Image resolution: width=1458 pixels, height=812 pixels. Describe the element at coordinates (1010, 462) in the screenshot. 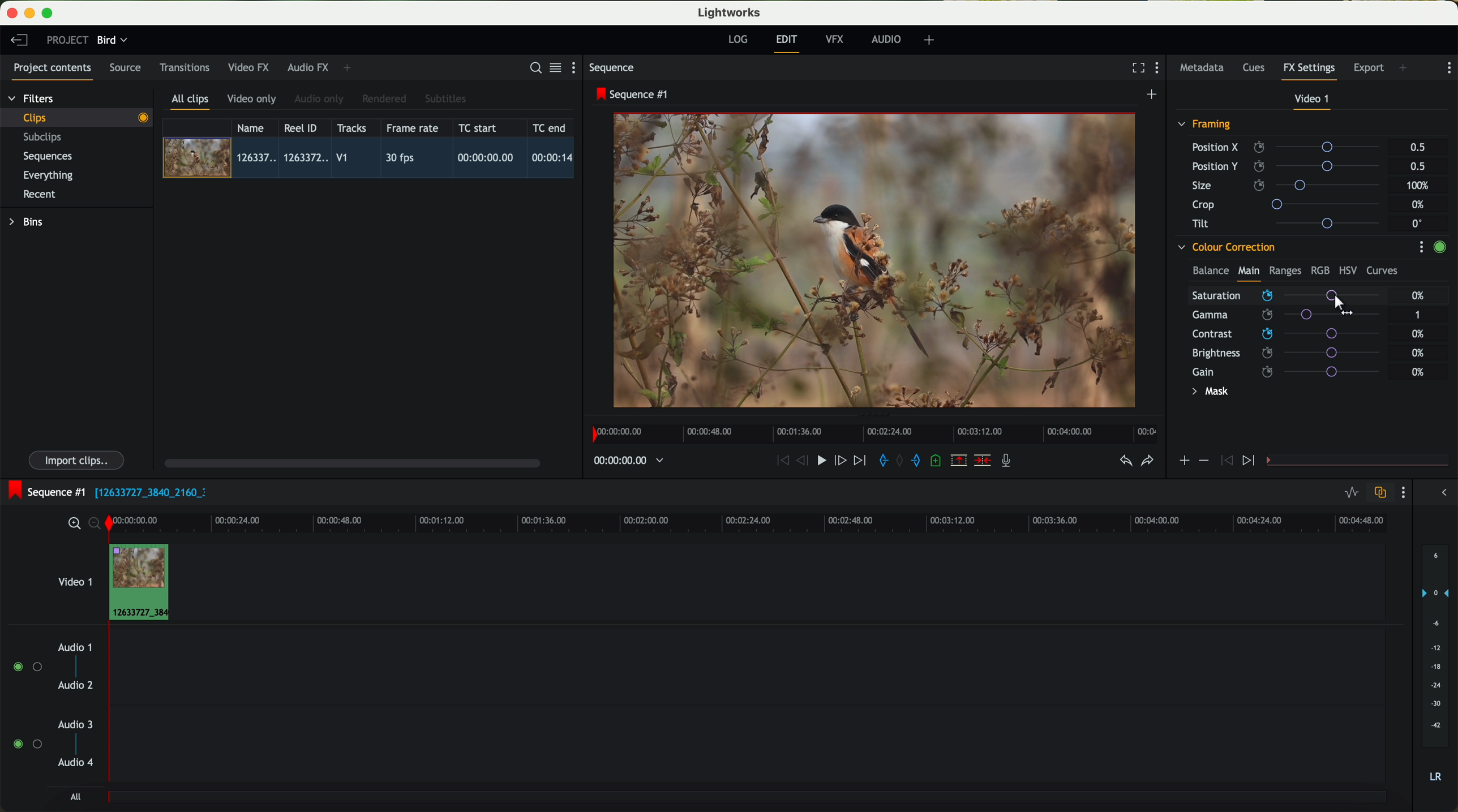

I see `record a voice-over` at that location.